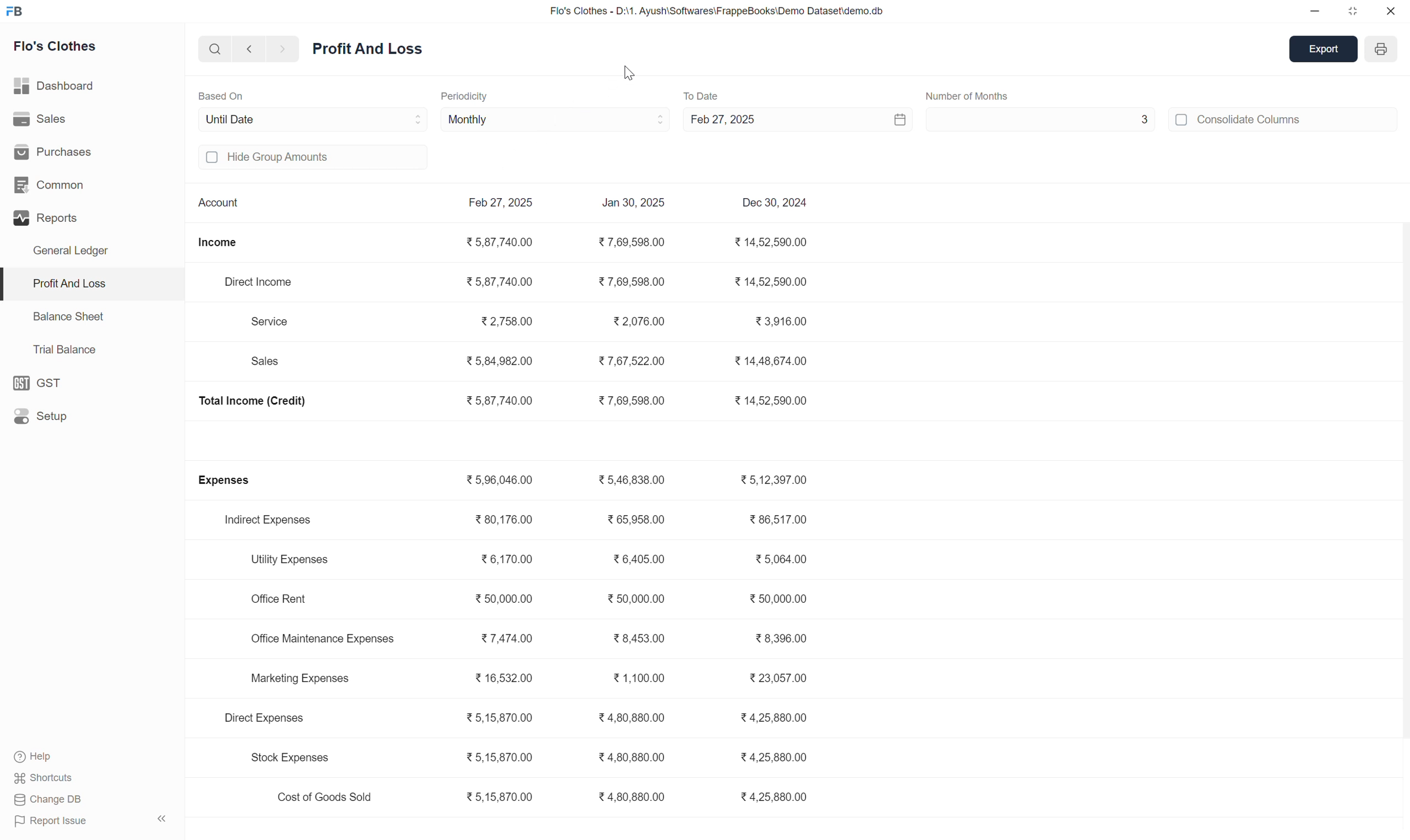 This screenshot has width=1410, height=840. I want to click on restore down, so click(1353, 10).